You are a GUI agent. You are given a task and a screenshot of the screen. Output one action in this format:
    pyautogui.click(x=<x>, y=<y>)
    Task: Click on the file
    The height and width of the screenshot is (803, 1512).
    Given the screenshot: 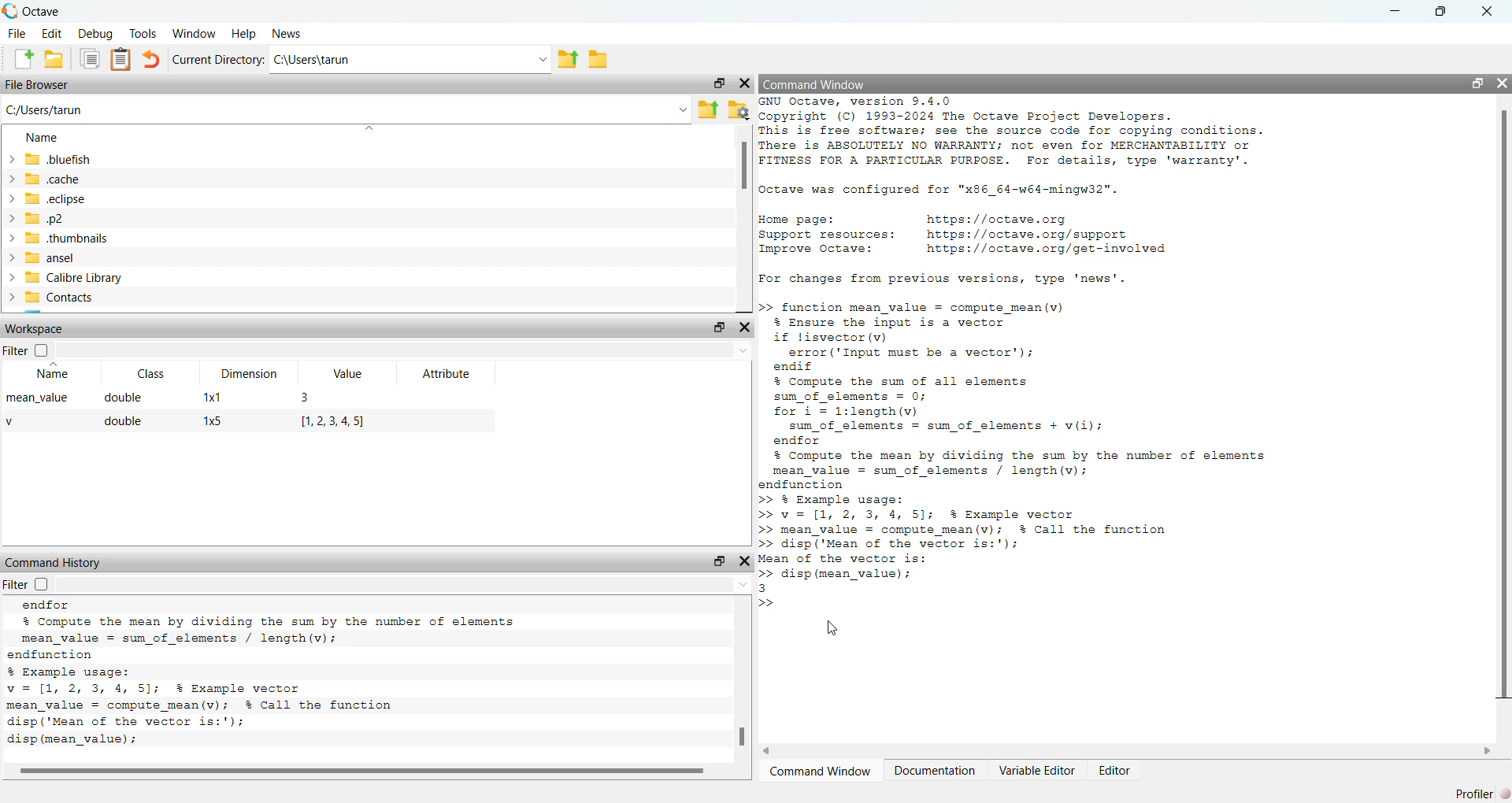 What is the action you would take?
    pyautogui.click(x=19, y=34)
    